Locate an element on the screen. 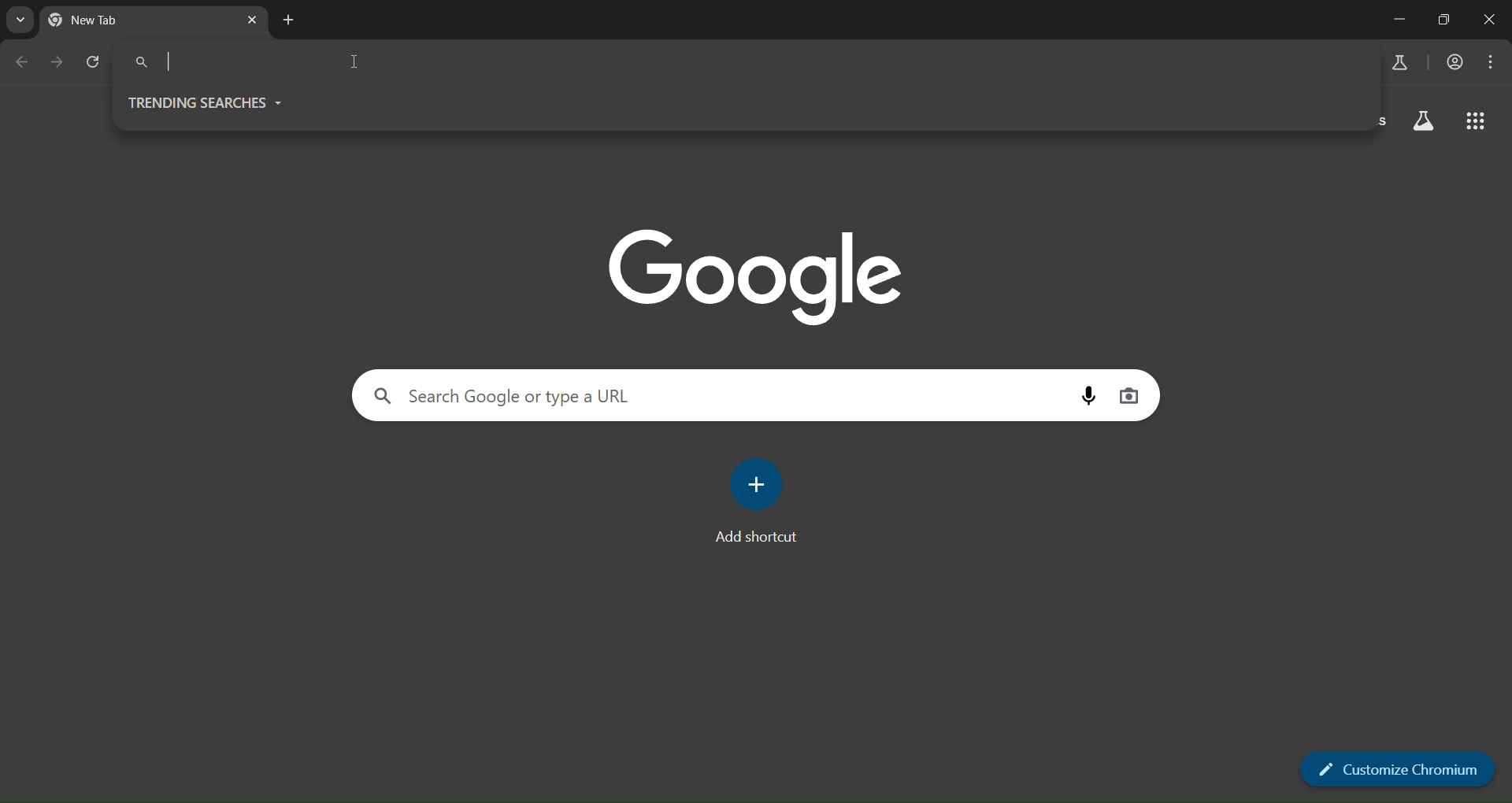 This screenshot has width=1512, height=803. customize chromium is located at coordinates (1402, 770).